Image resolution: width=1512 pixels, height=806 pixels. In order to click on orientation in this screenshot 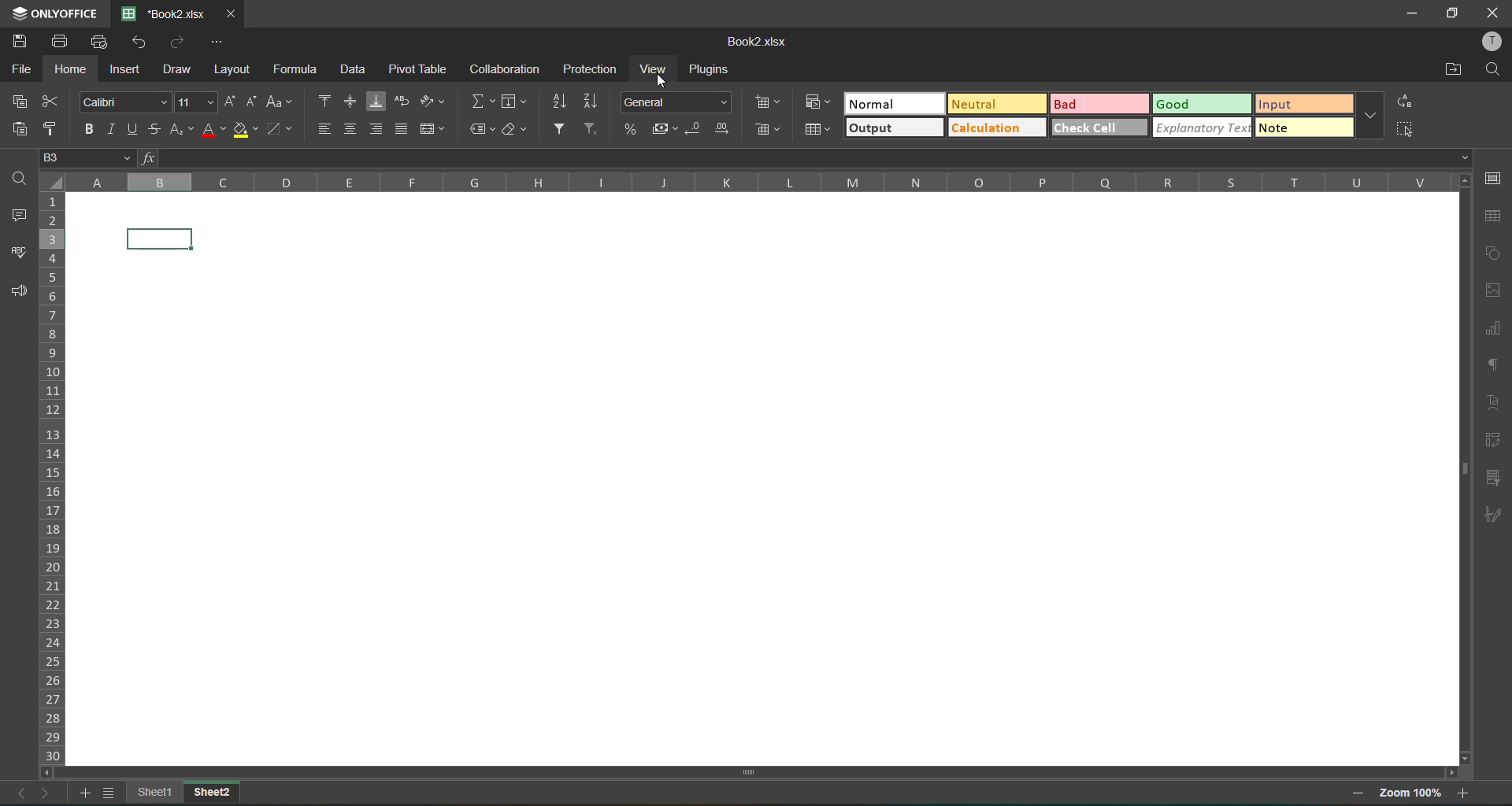, I will do `click(438, 102)`.